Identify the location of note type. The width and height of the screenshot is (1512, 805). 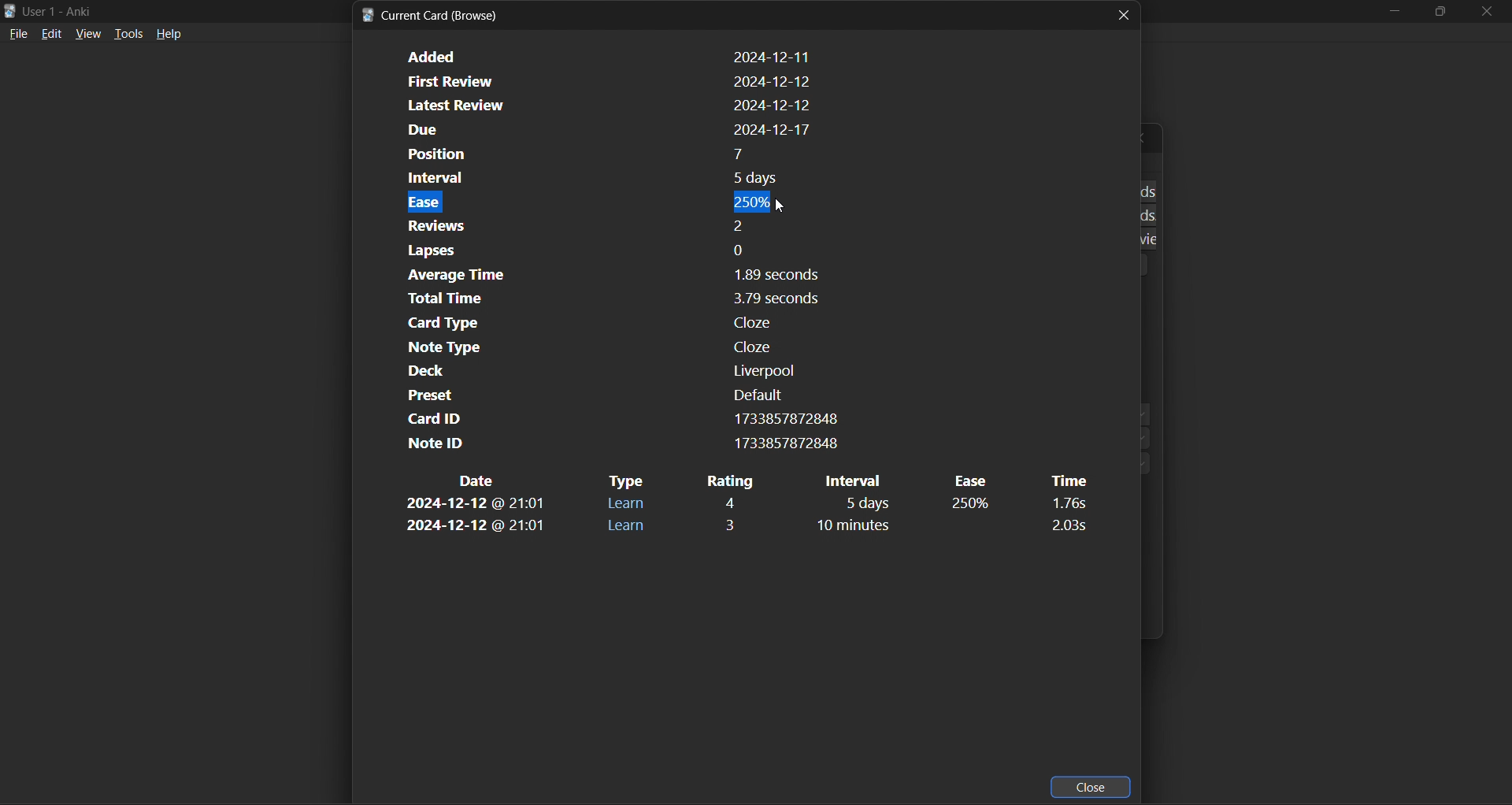
(600, 347).